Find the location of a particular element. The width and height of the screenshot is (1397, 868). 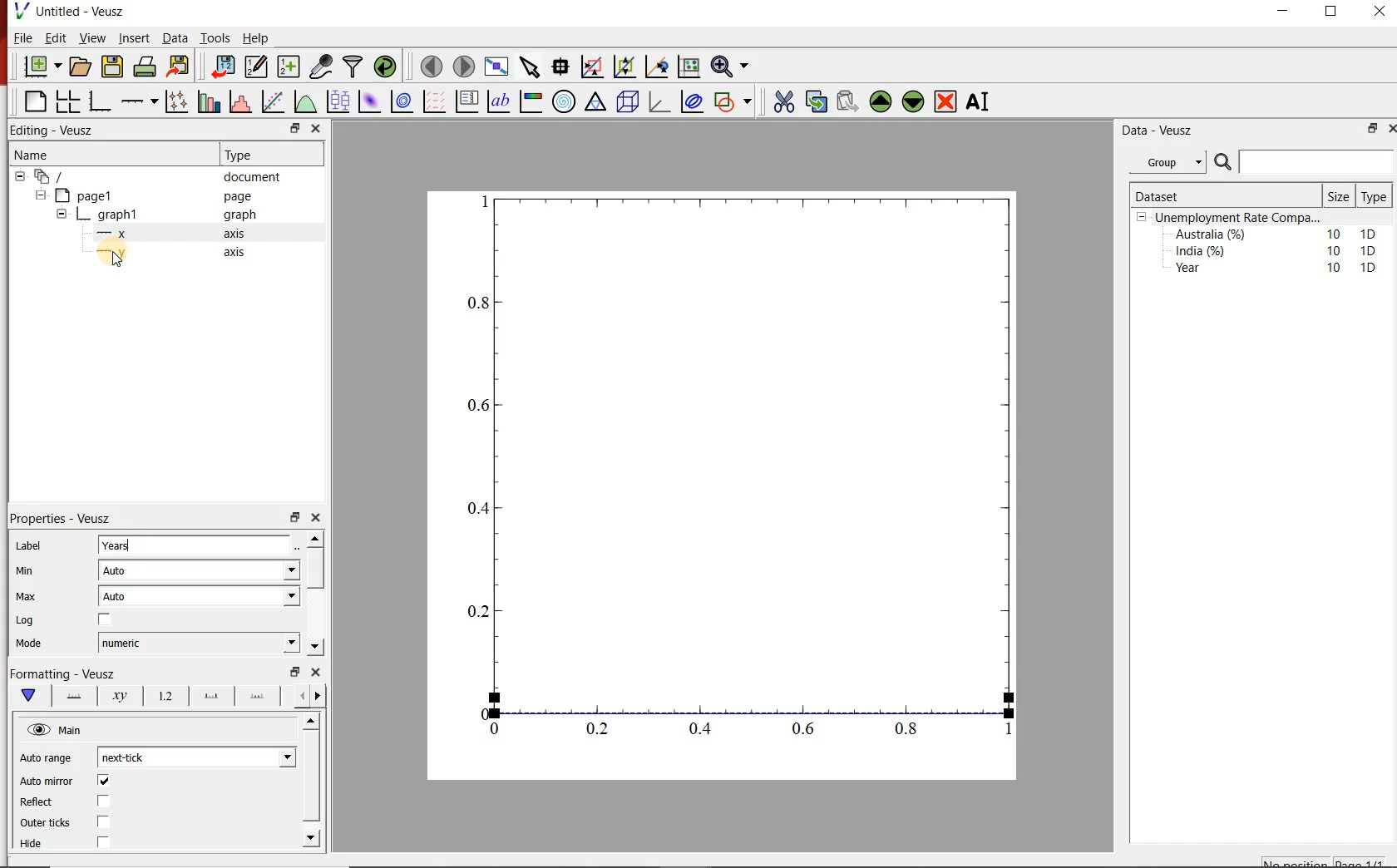

add a shapes is located at coordinates (733, 101).